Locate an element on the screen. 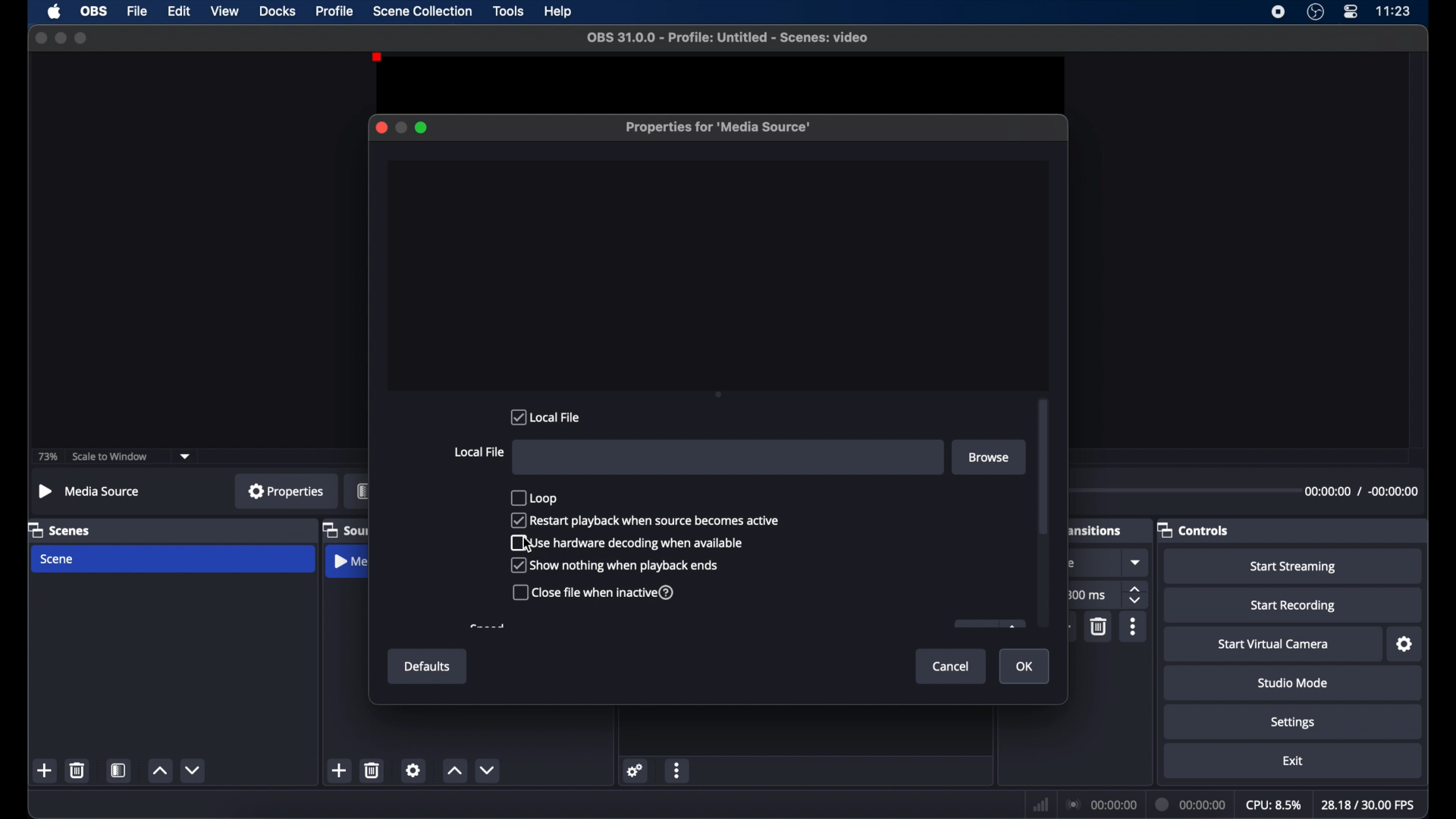 The width and height of the screenshot is (1456, 819). scroll box is located at coordinates (1045, 468).